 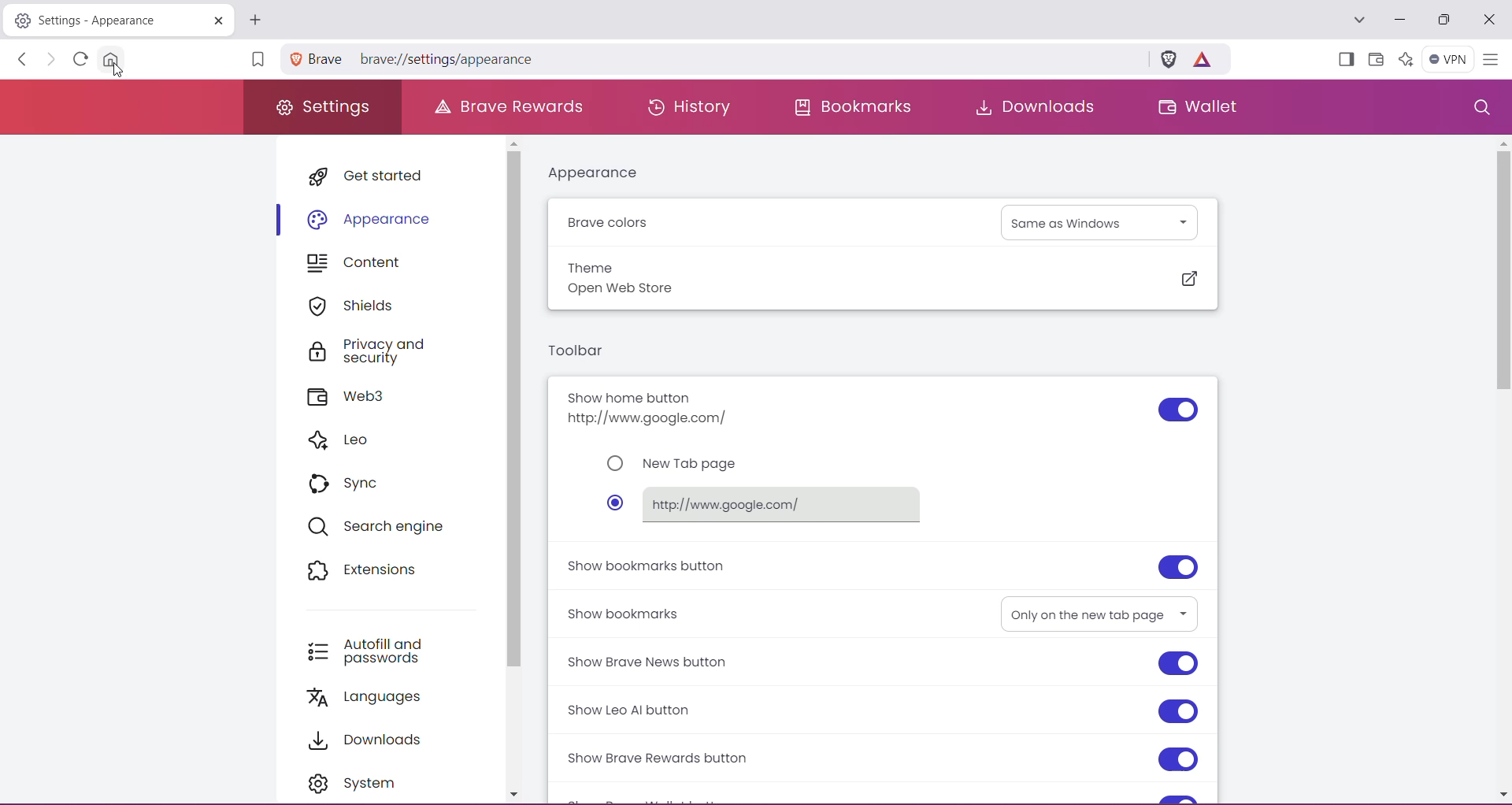 What do you see at coordinates (591, 266) in the screenshot?
I see `Theme` at bounding box center [591, 266].